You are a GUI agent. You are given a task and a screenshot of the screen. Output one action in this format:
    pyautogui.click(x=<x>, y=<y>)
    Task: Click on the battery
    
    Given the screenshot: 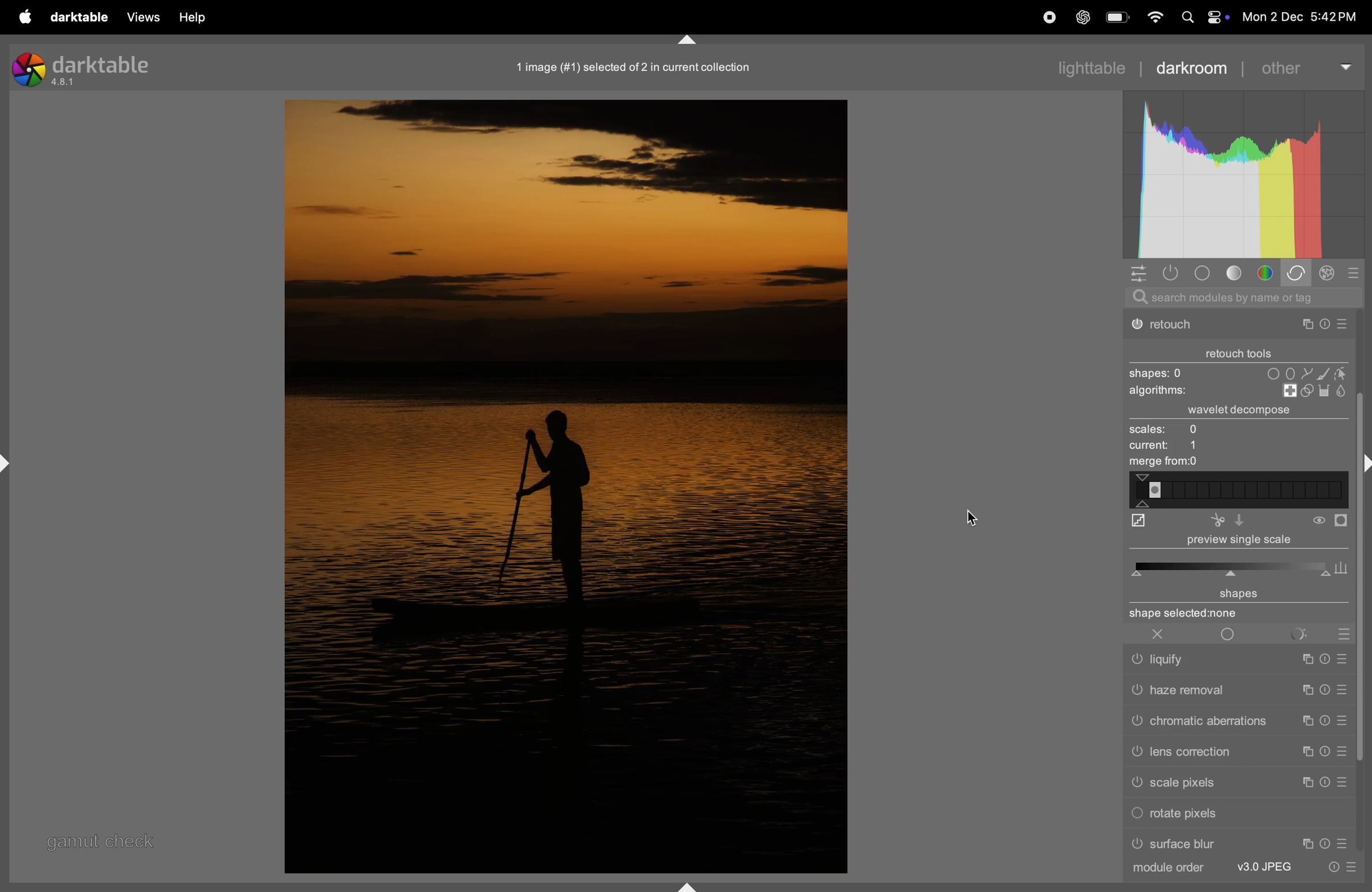 What is the action you would take?
    pyautogui.click(x=1118, y=18)
    